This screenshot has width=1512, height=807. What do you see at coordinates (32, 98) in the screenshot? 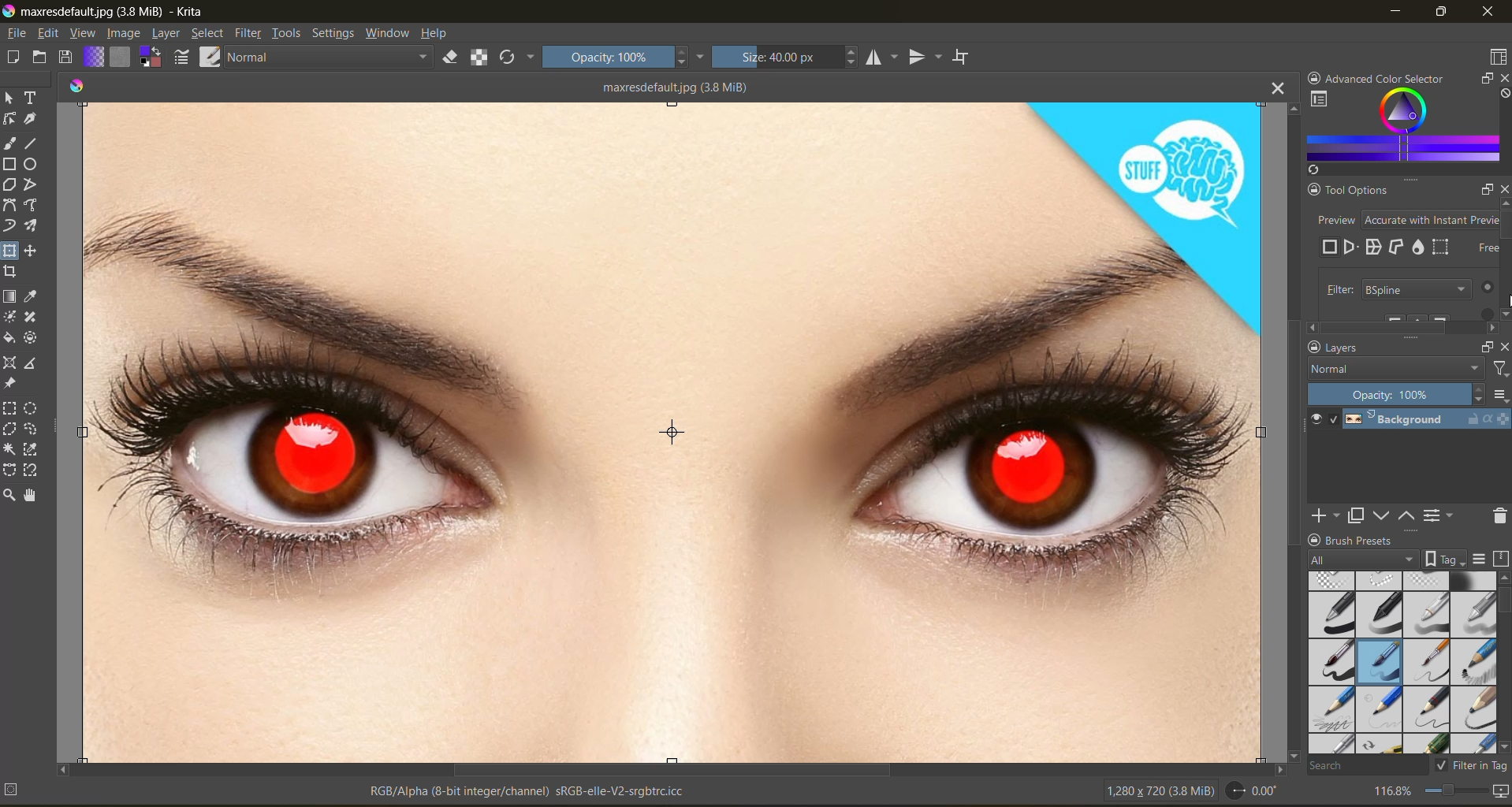
I see `tool` at bounding box center [32, 98].